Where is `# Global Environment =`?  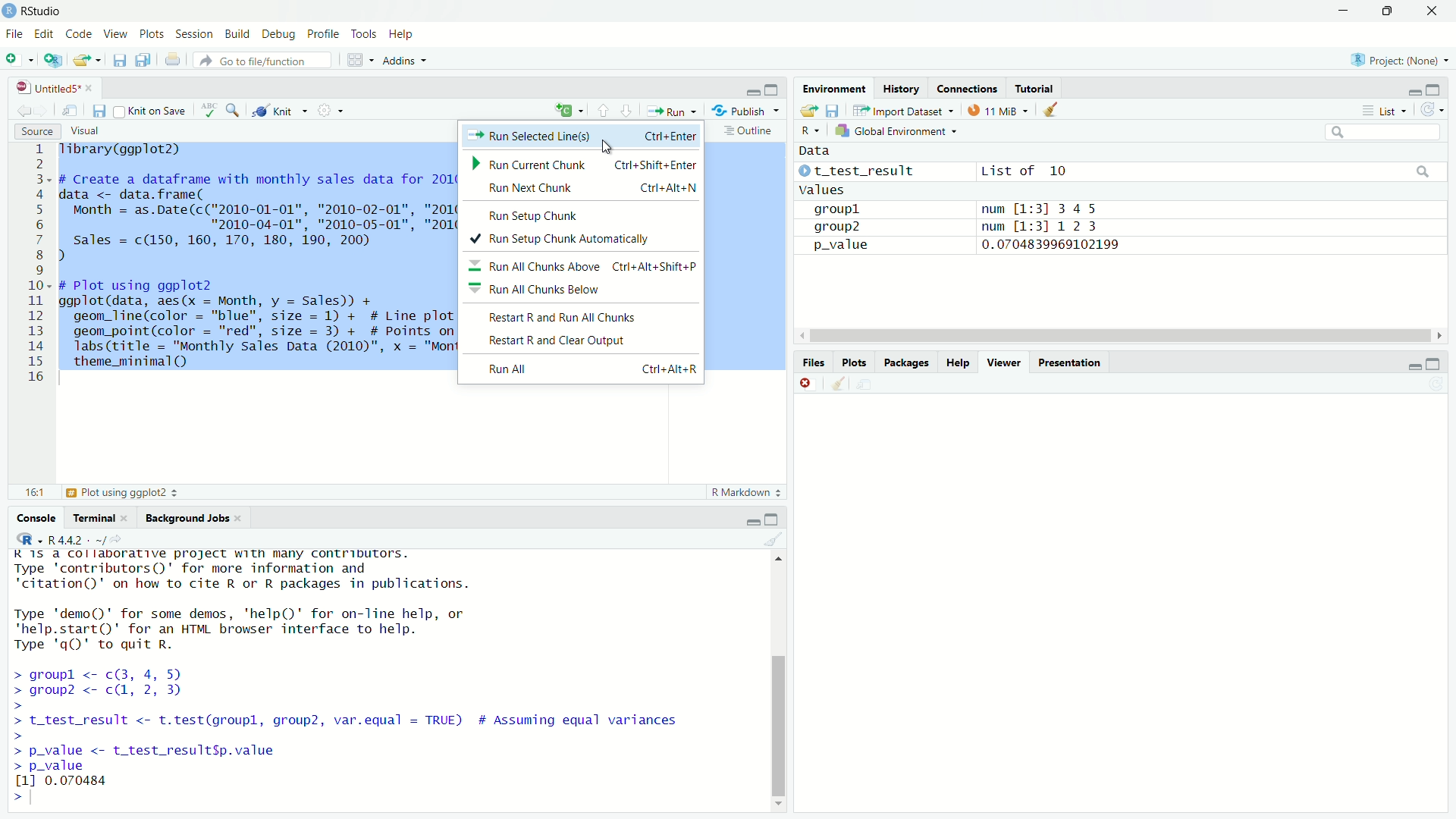
# Global Environment = is located at coordinates (896, 129).